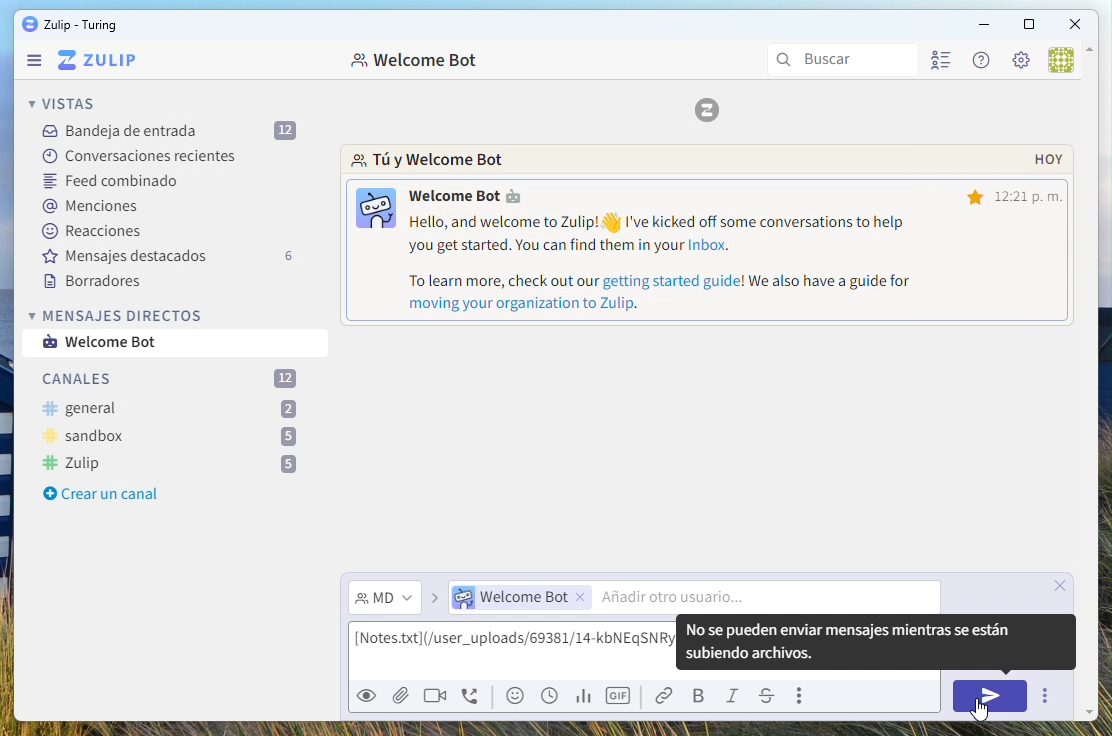  Describe the element at coordinates (171, 437) in the screenshot. I see `Sandbox` at that location.